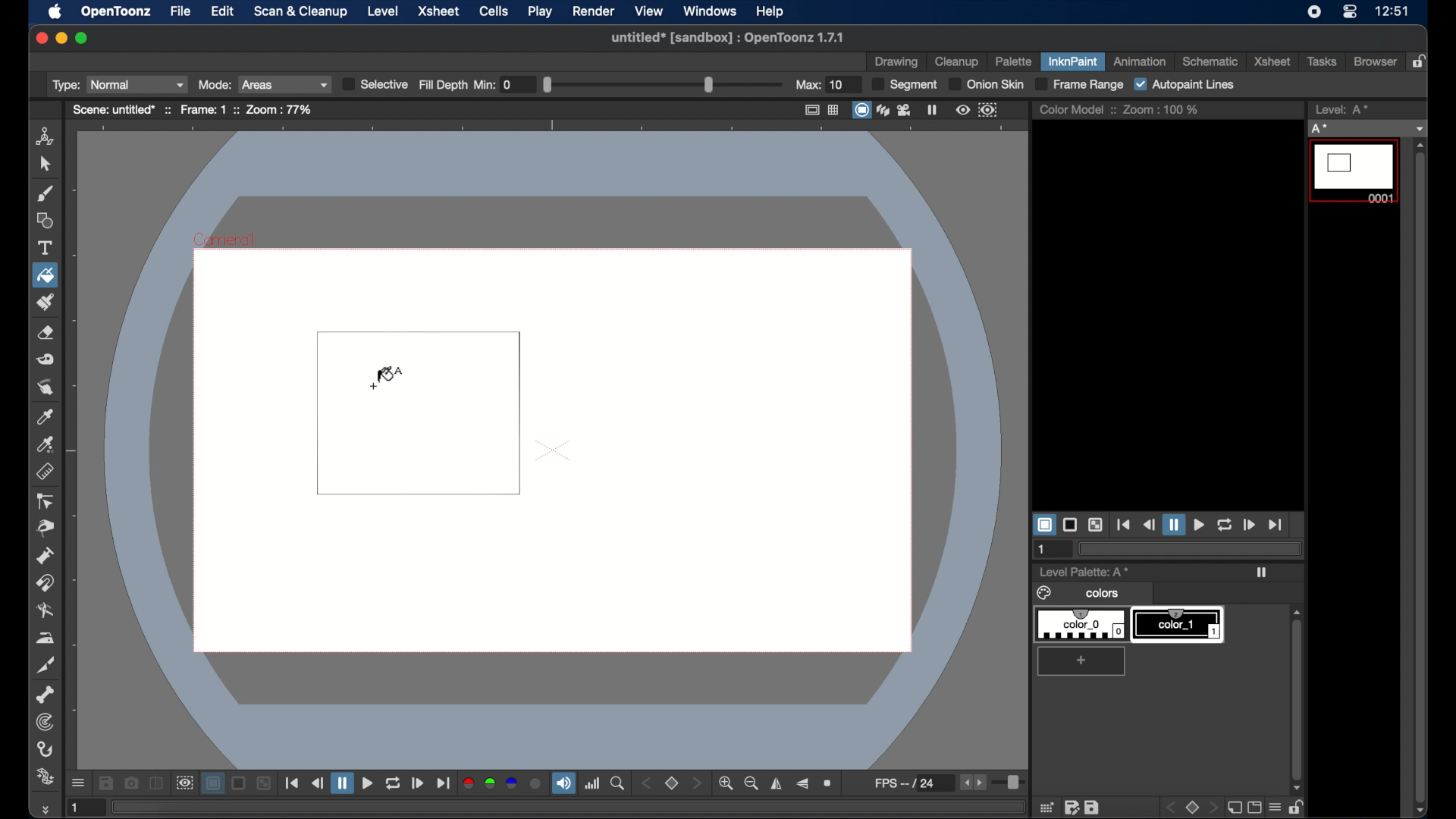 The height and width of the screenshot is (819, 1456). What do you see at coordinates (896, 63) in the screenshot?
I see `drawing` at bounding box center [896, 63].